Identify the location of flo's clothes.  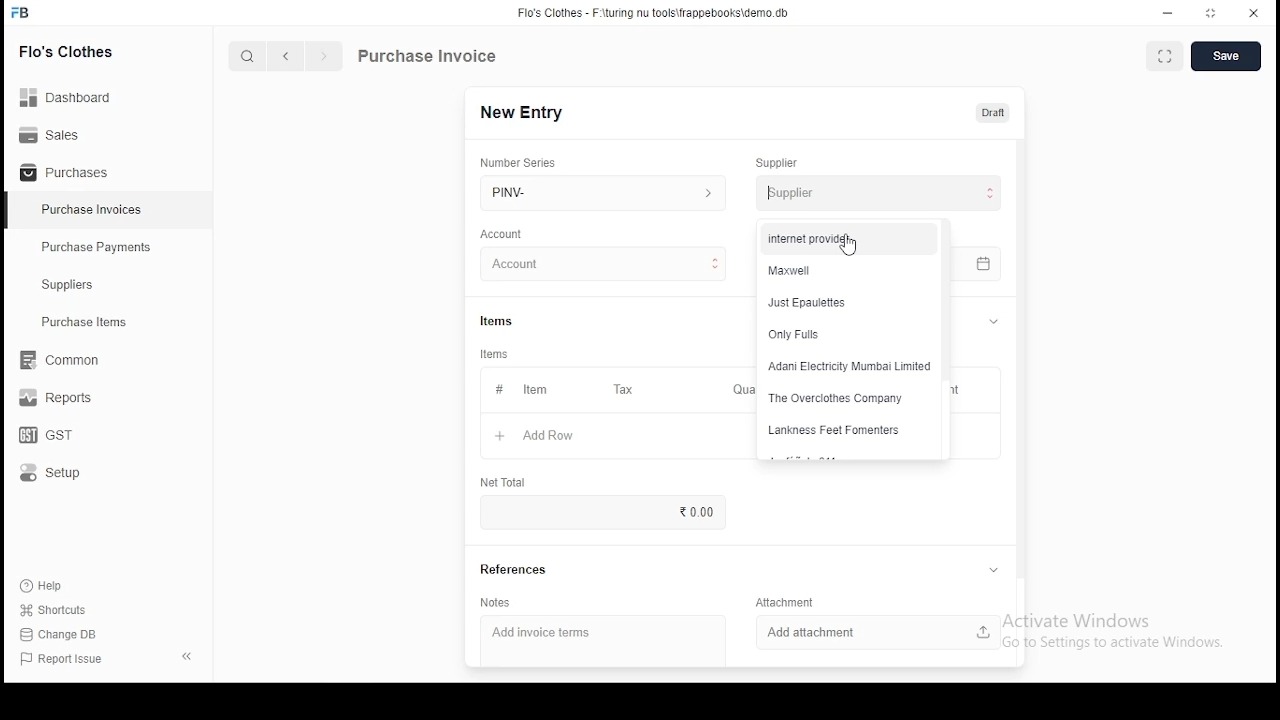
(69, 51).